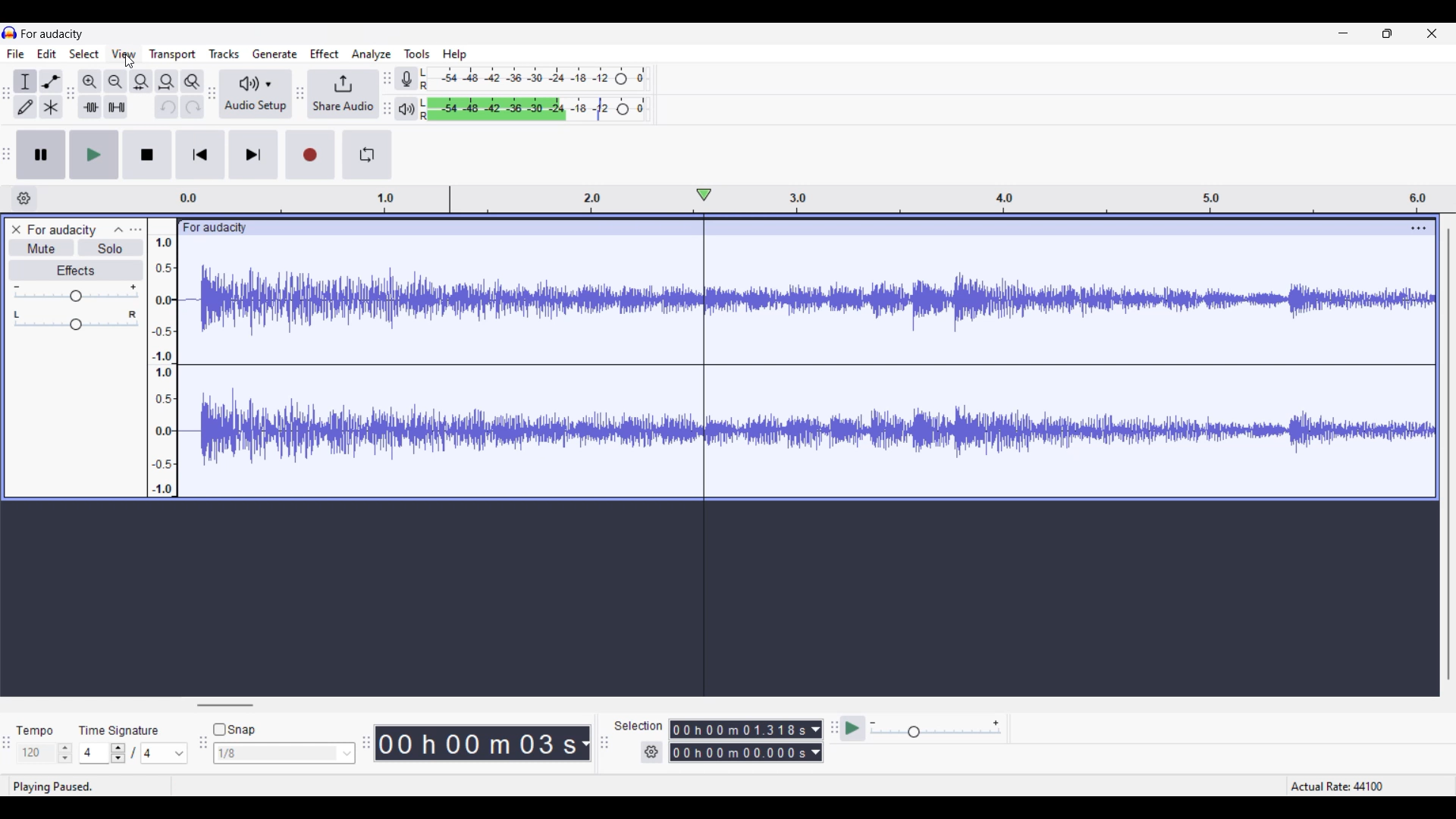 This screenshot has height=819, width=1456. Describe the element at coordinates (1432, 33) in the screenshot. I see `Close interface` at that location.